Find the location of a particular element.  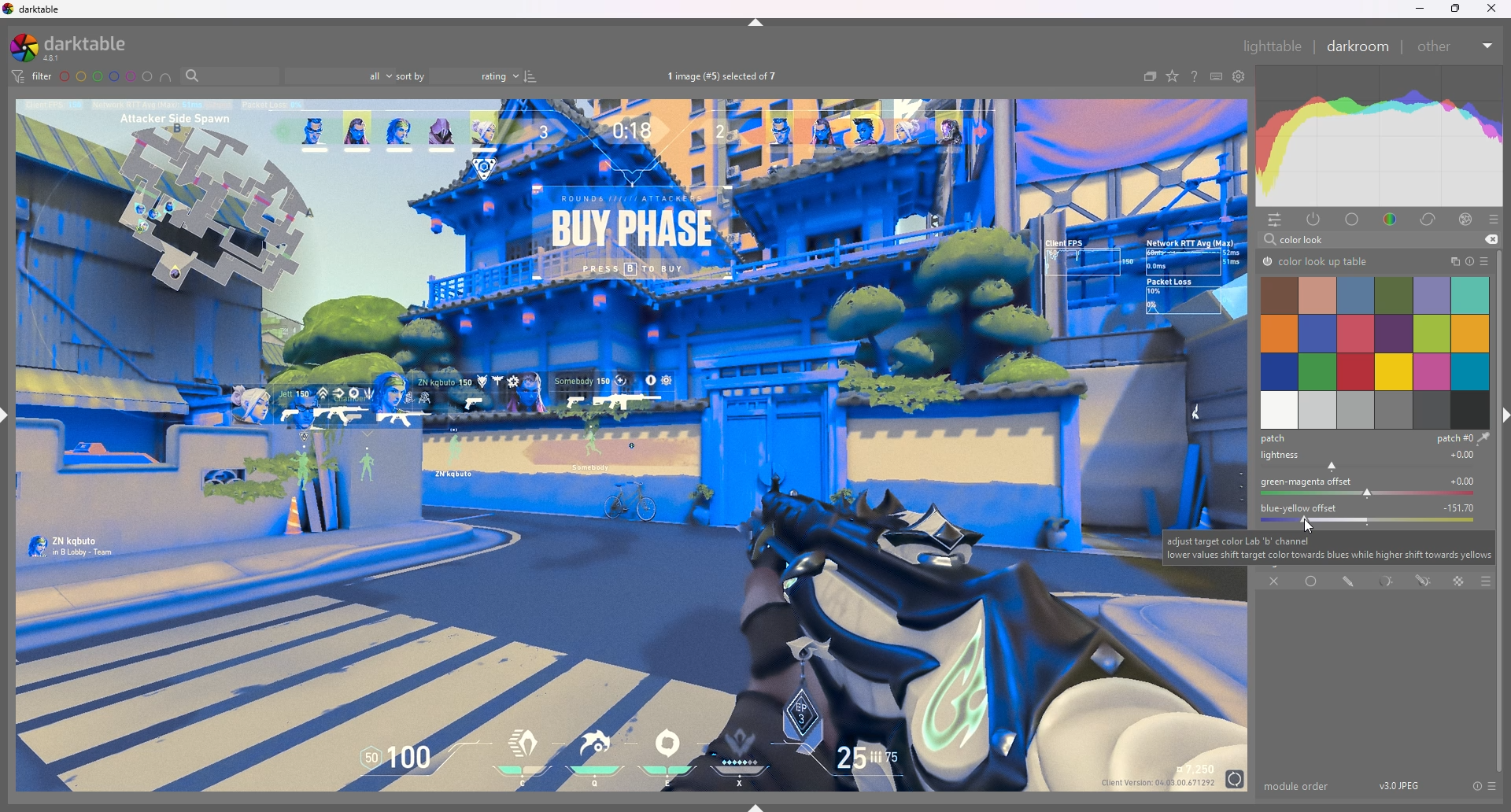

remove is located at coordinates (1491, 239).